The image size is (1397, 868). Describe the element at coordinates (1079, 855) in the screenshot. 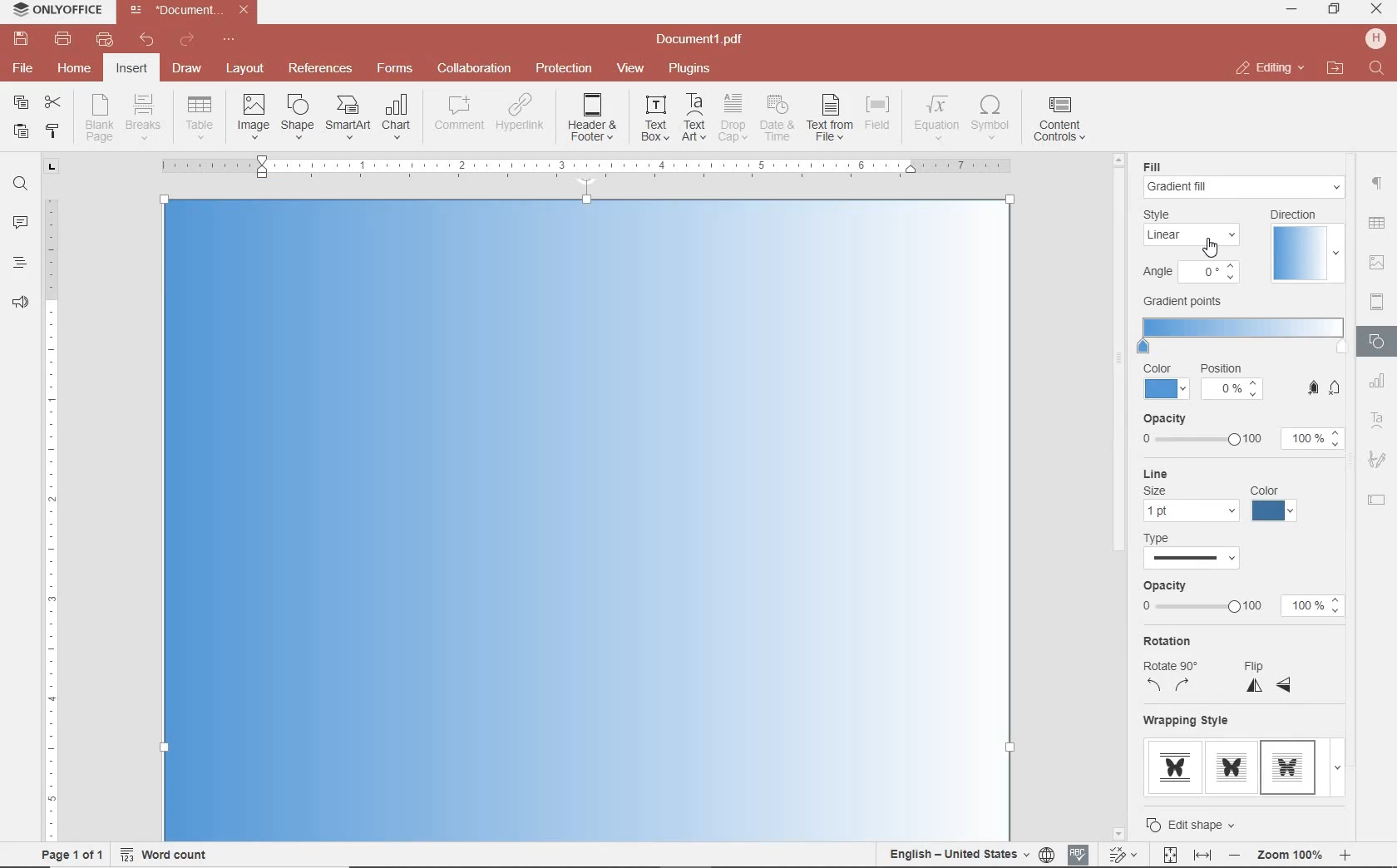

I see `spell checking` at that location.